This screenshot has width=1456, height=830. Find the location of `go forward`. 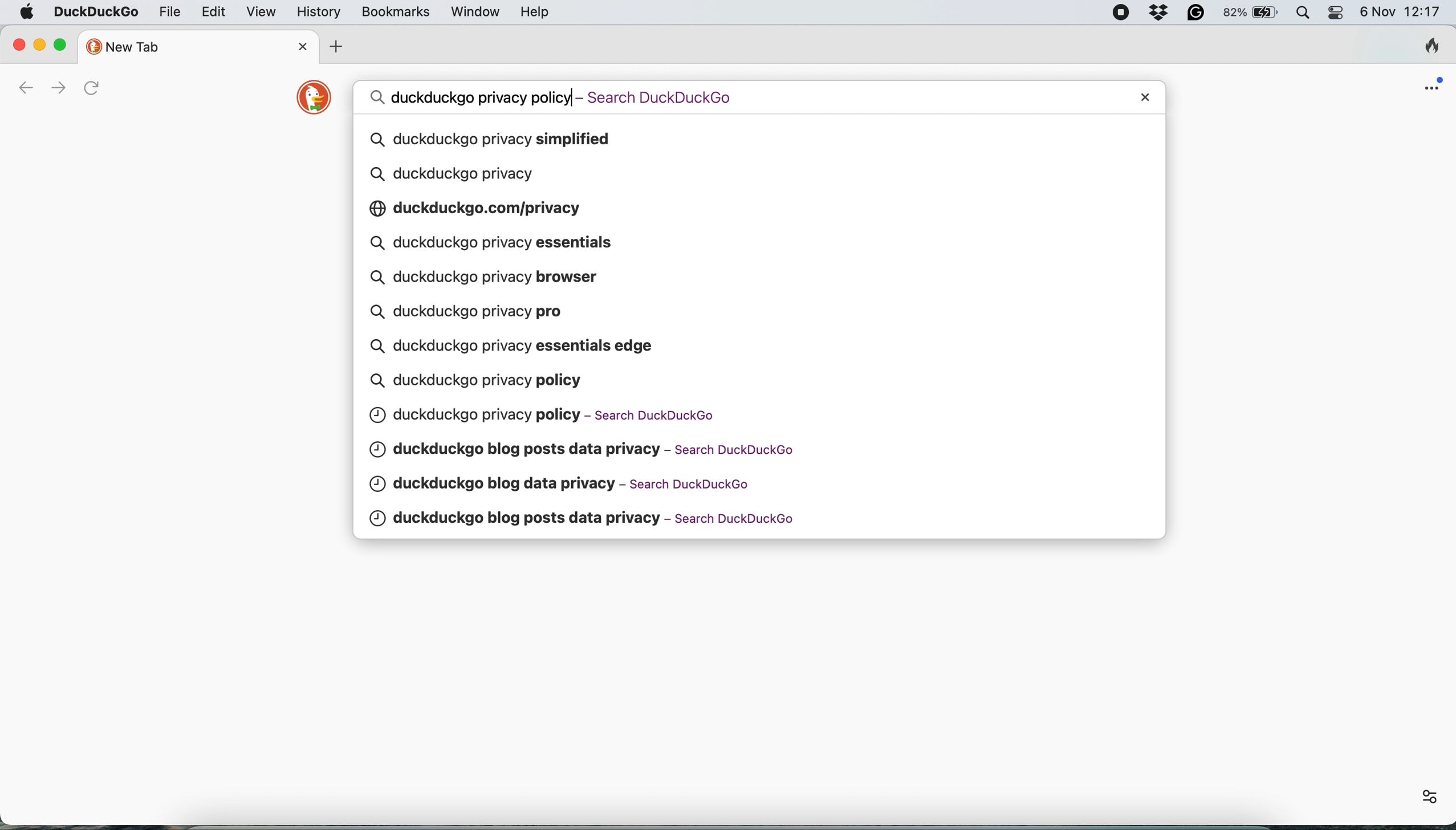

go forward is located at coordinates (54, 87).